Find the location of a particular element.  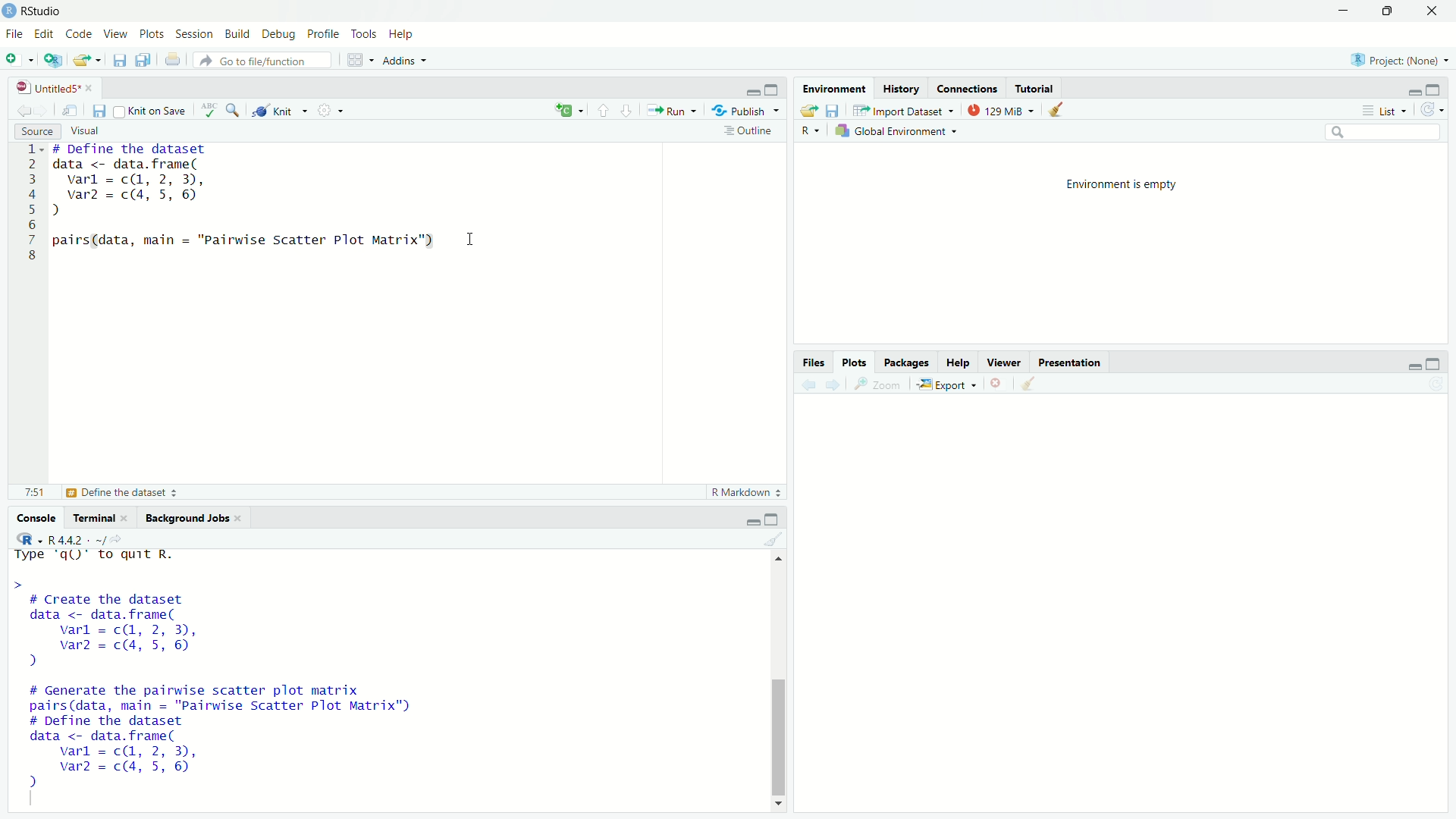

R is located at coordinates (809, 131).